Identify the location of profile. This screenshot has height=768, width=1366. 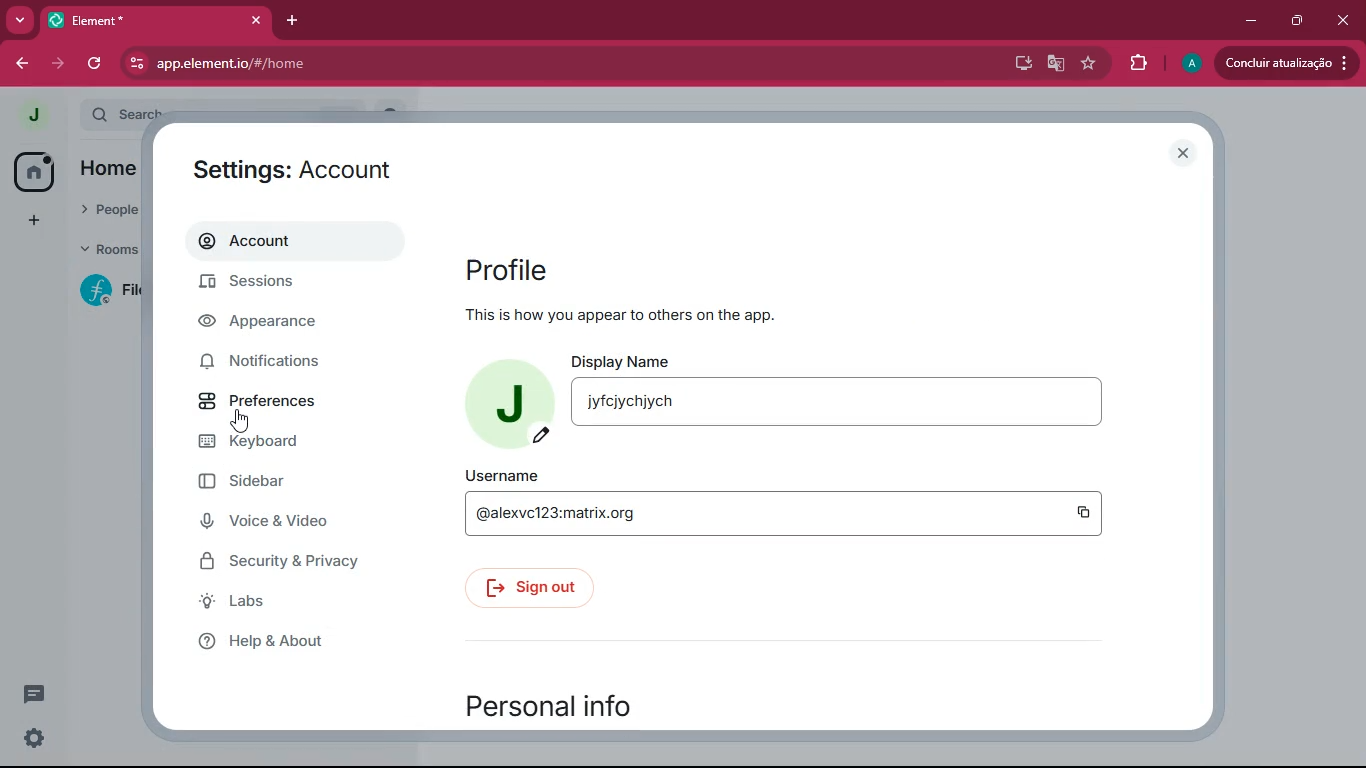
(519, 268).